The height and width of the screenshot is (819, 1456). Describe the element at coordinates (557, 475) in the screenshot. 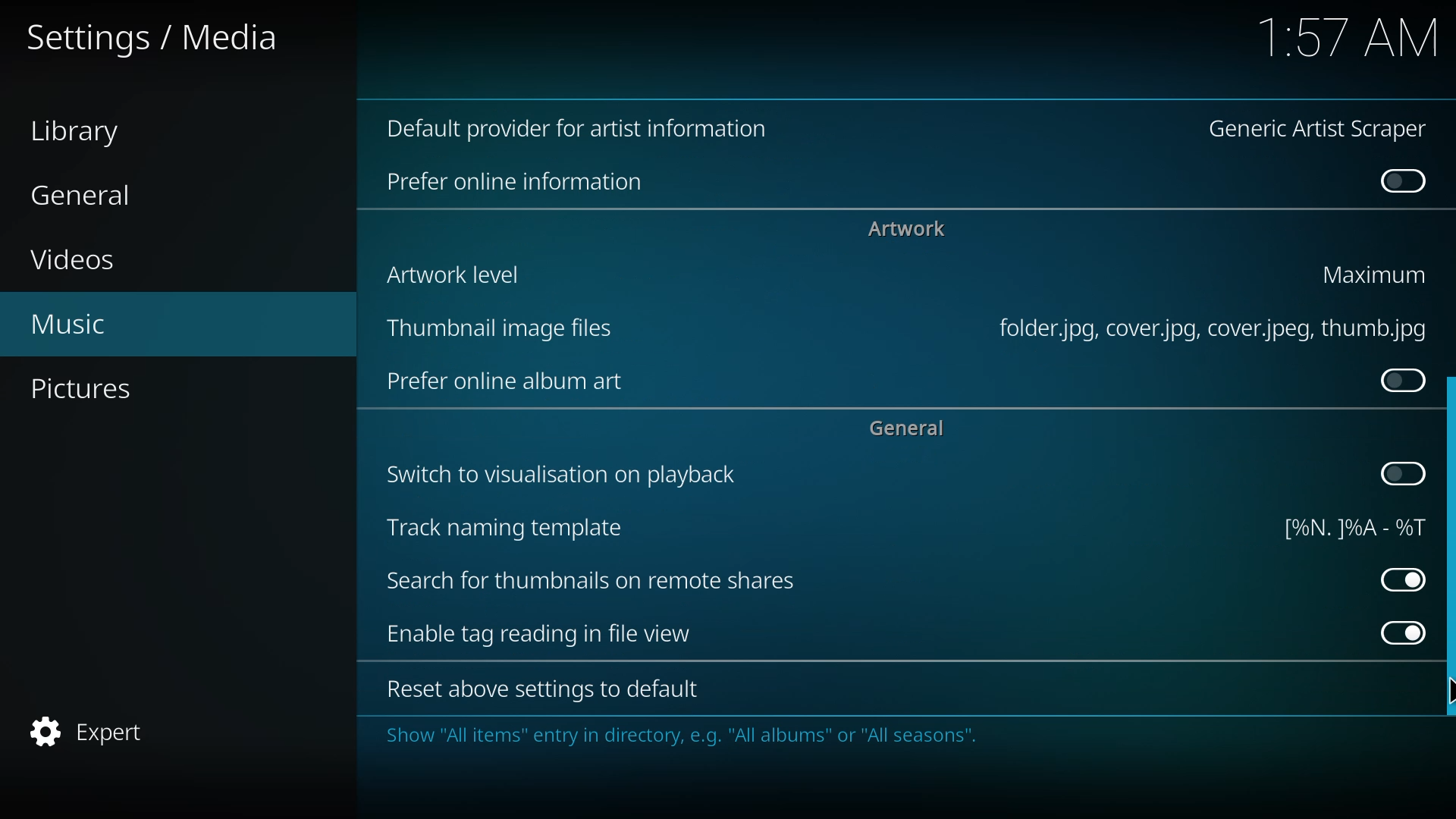

I see `switch to visualization on playback` at that location.